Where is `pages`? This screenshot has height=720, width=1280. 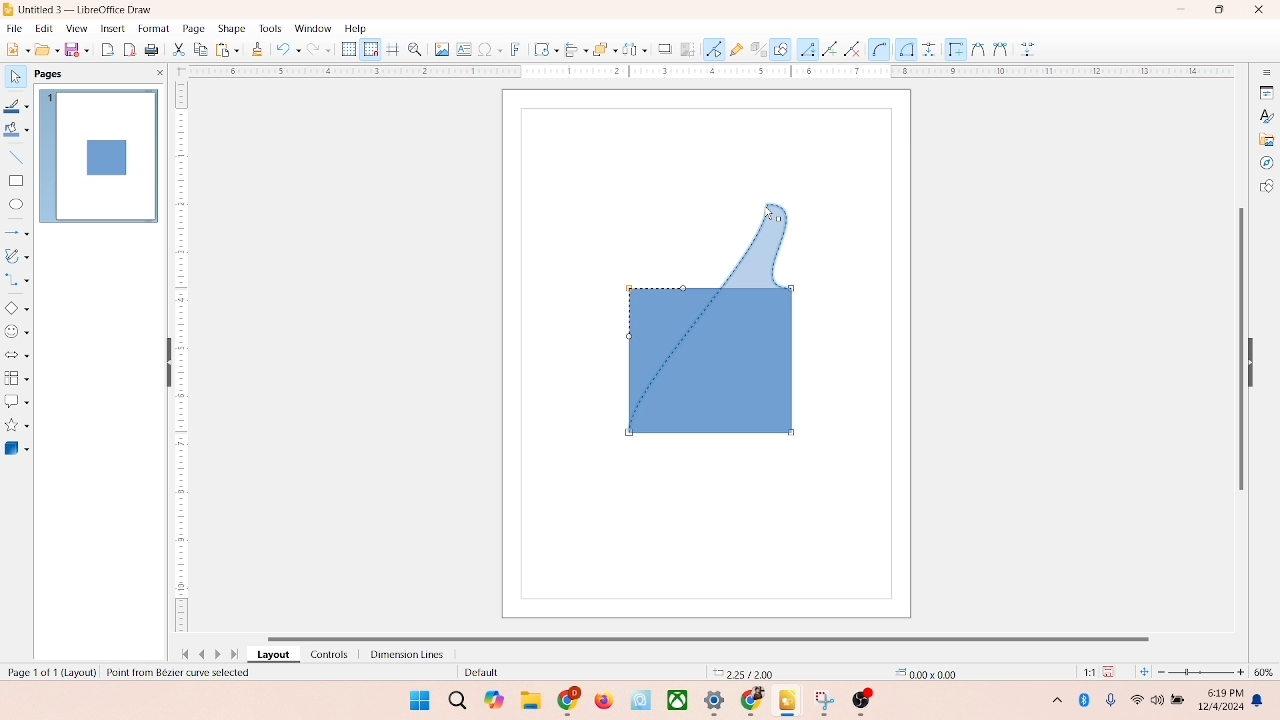
pages is located at coordinates (47, 72).